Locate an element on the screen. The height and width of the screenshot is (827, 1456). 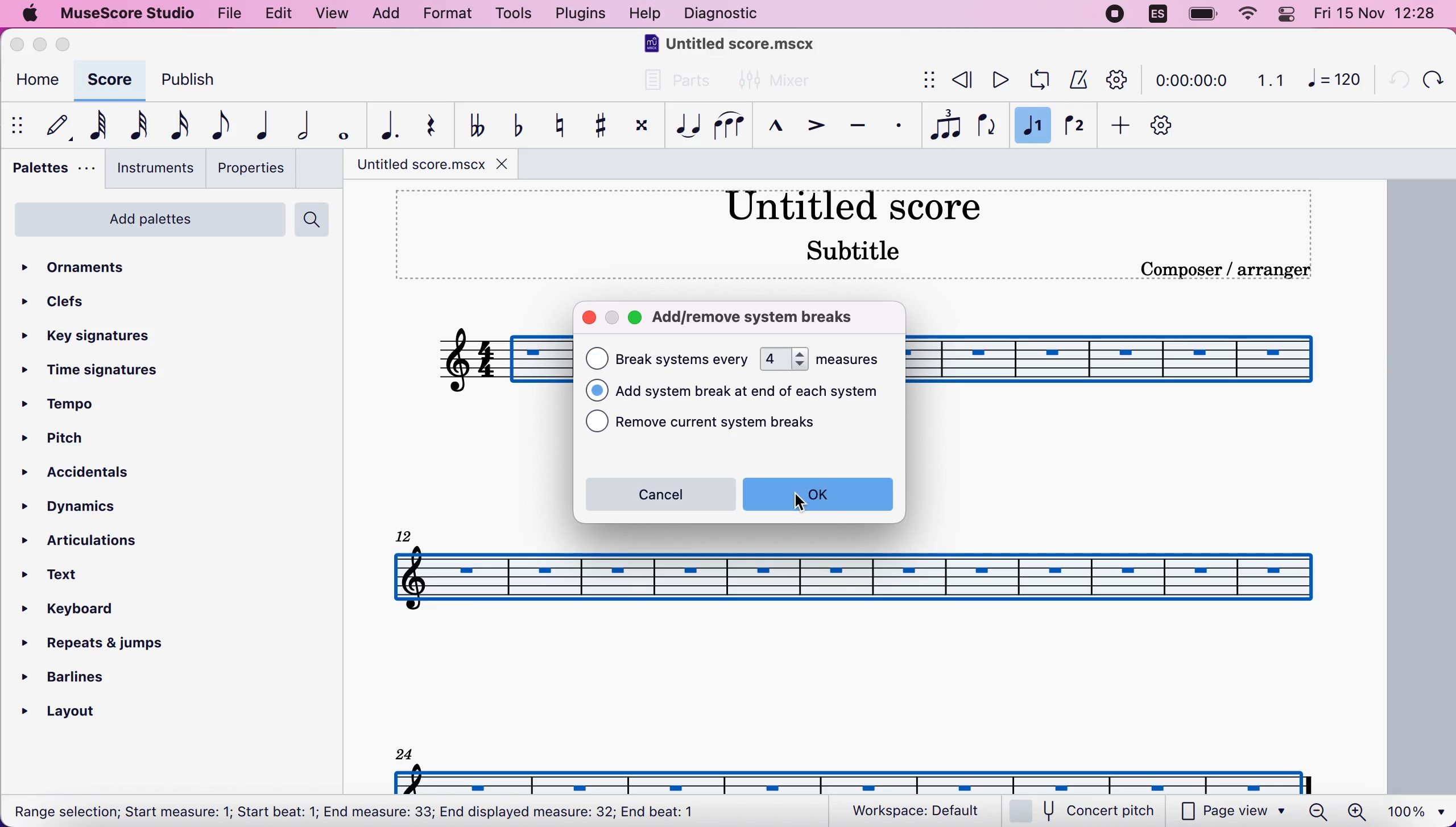
tempo is located at coordinates (69, 406).